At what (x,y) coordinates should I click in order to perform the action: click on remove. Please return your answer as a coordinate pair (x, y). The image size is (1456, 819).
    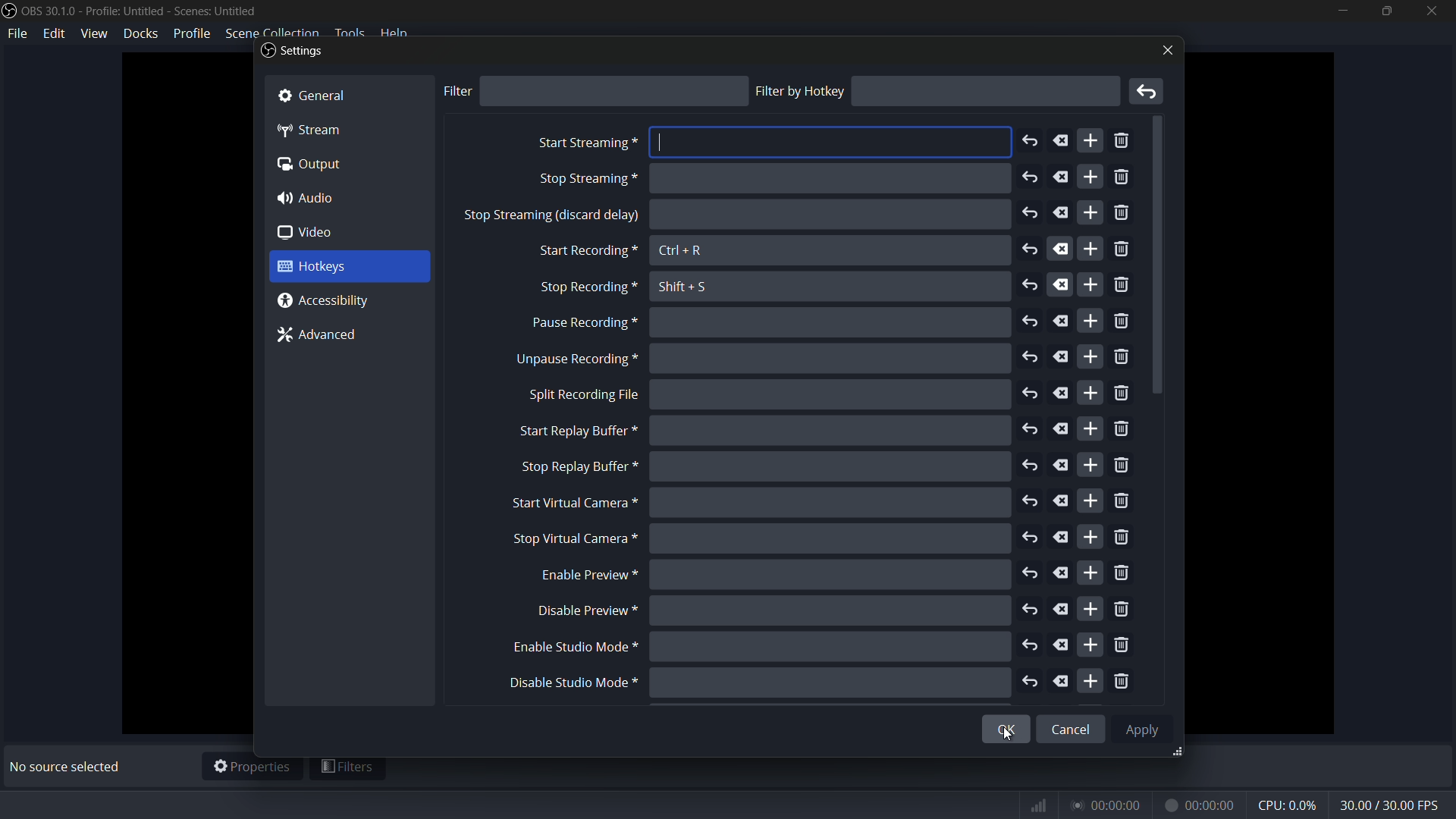
    Looking at the image, I should click on (1125, 142).